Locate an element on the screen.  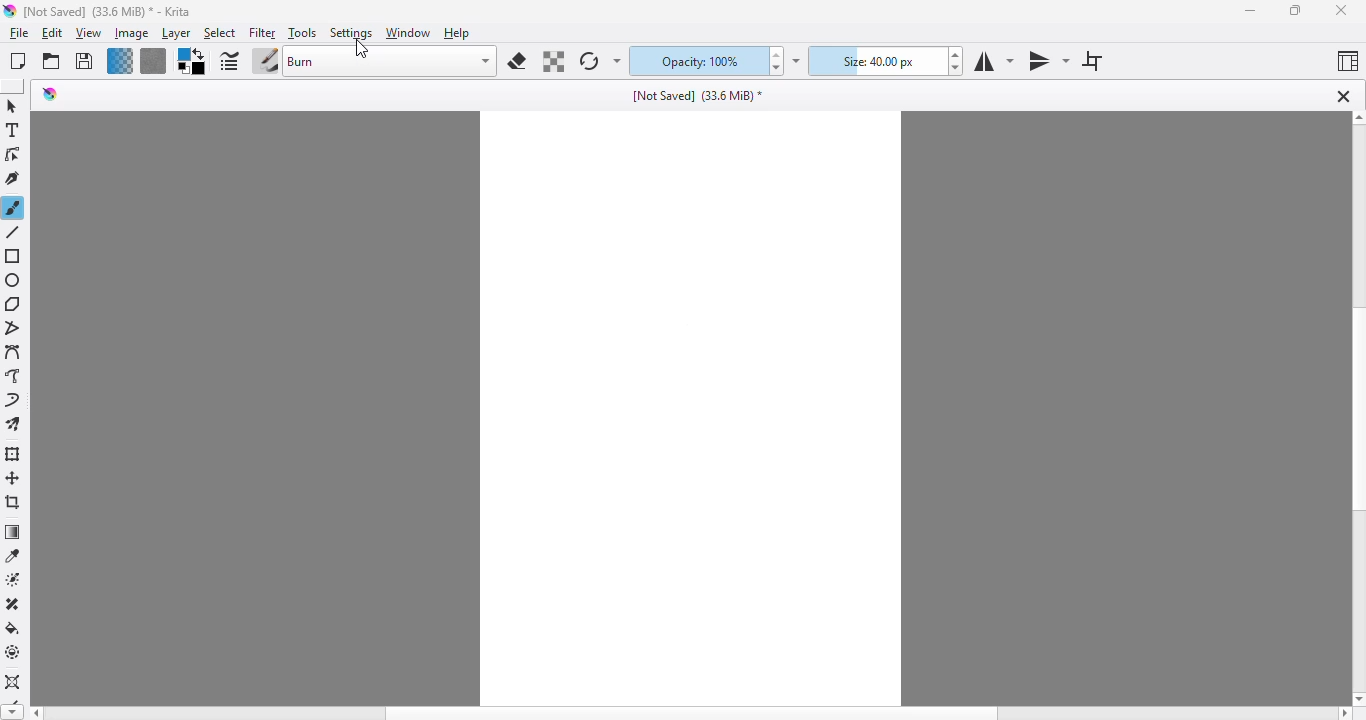
resize is located at coordinates (1293, 10).